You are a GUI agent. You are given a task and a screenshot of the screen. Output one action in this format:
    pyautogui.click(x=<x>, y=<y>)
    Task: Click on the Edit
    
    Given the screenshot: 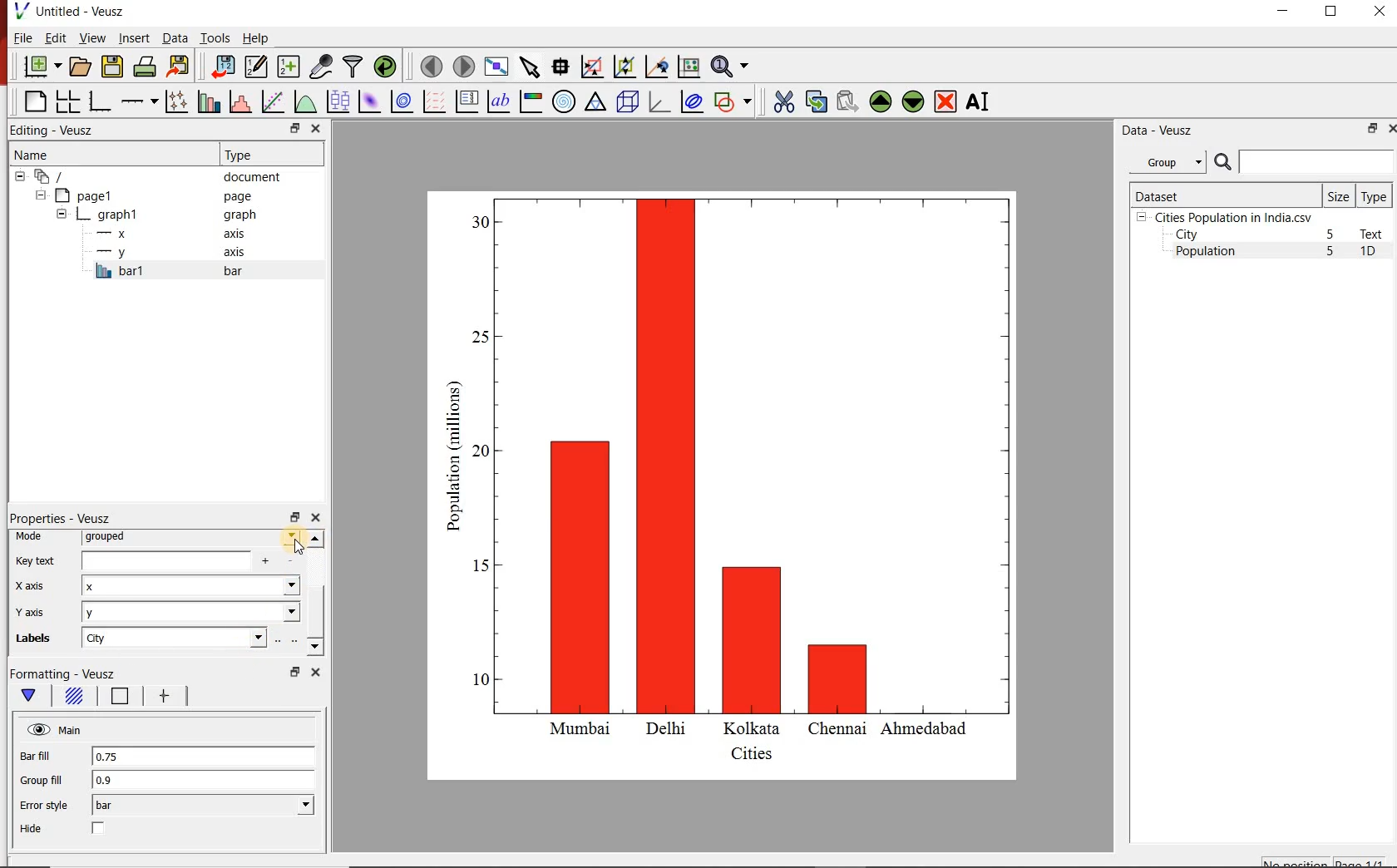 What is the action you would take?
    pyautogui.click(x=54, y=38)
    